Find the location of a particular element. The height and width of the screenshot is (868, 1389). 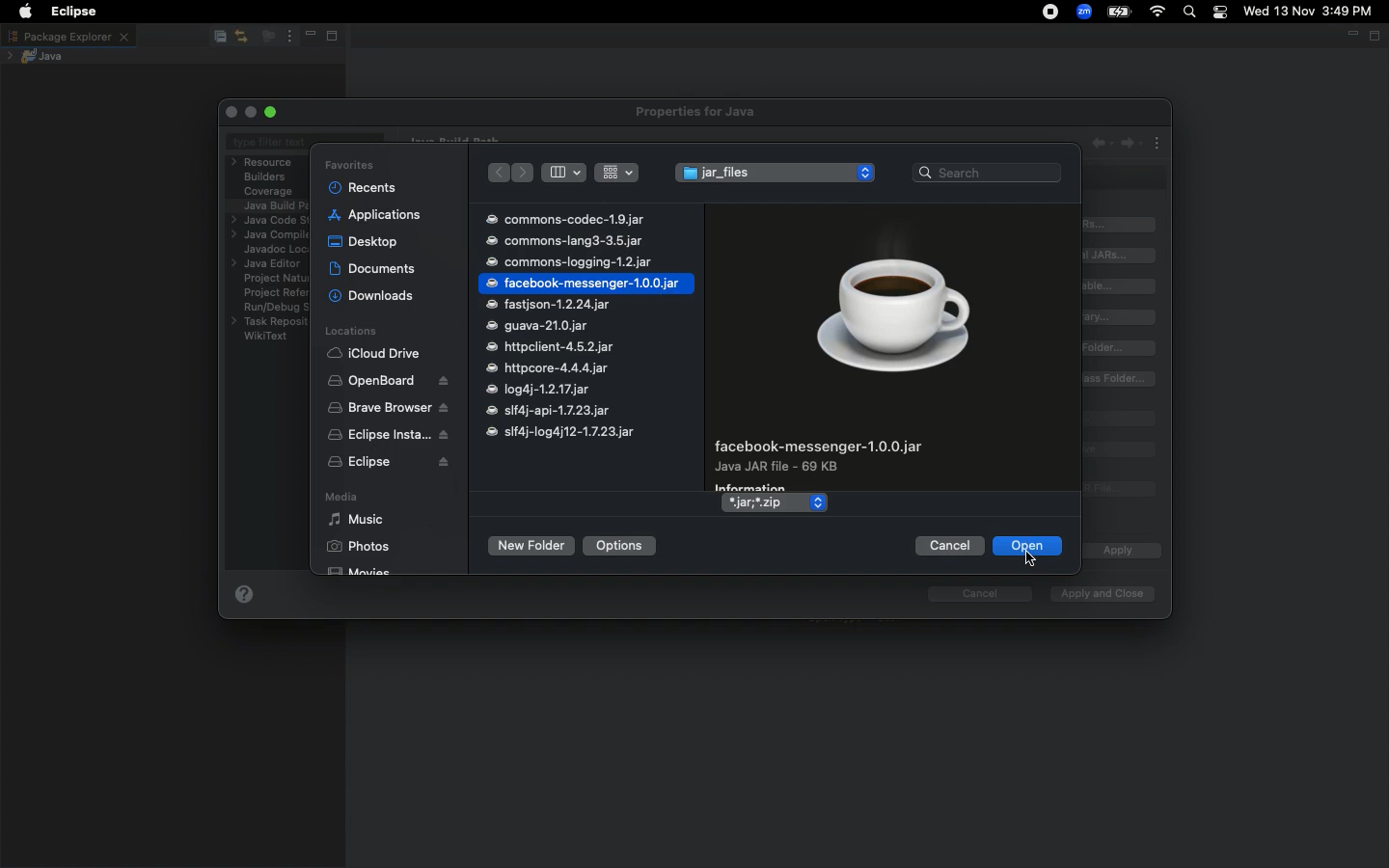

Package explorer is located at coordinates (68, 36).